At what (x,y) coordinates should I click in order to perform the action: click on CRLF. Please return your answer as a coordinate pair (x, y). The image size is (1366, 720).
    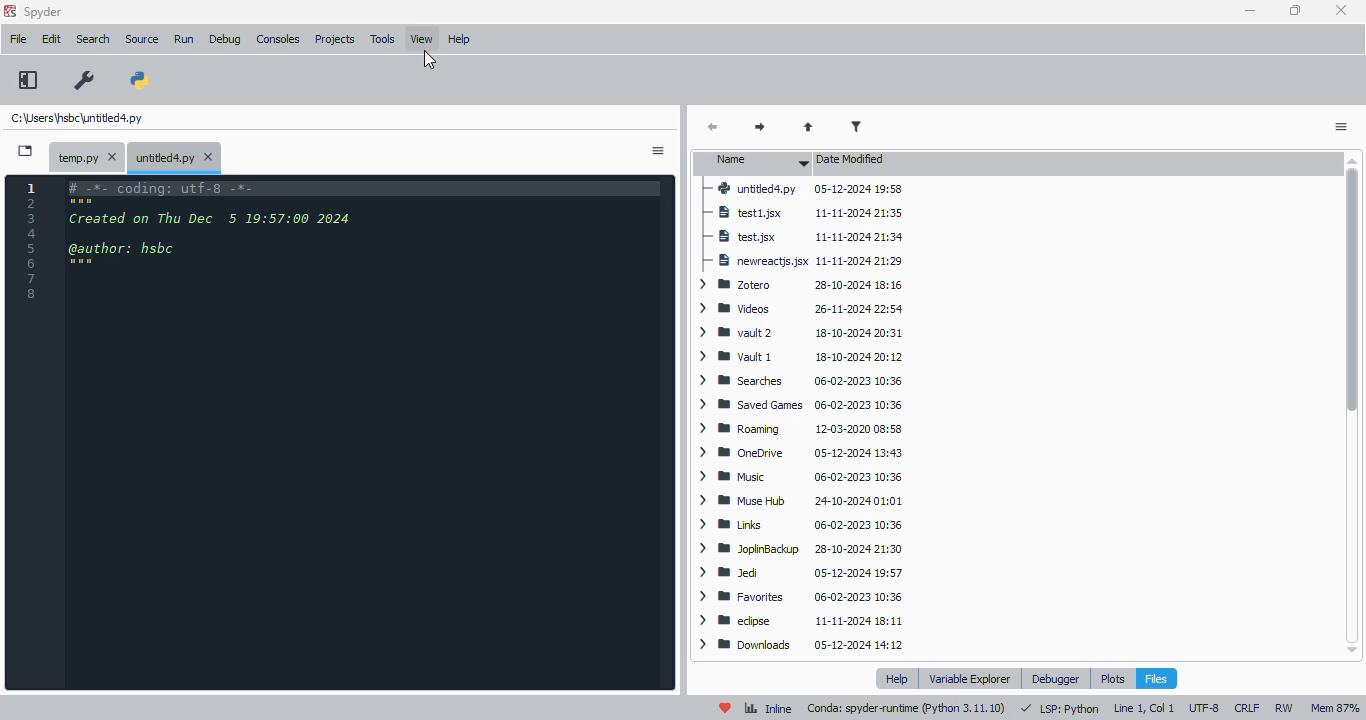
    Looking at the image, I should click on (1249, 707).